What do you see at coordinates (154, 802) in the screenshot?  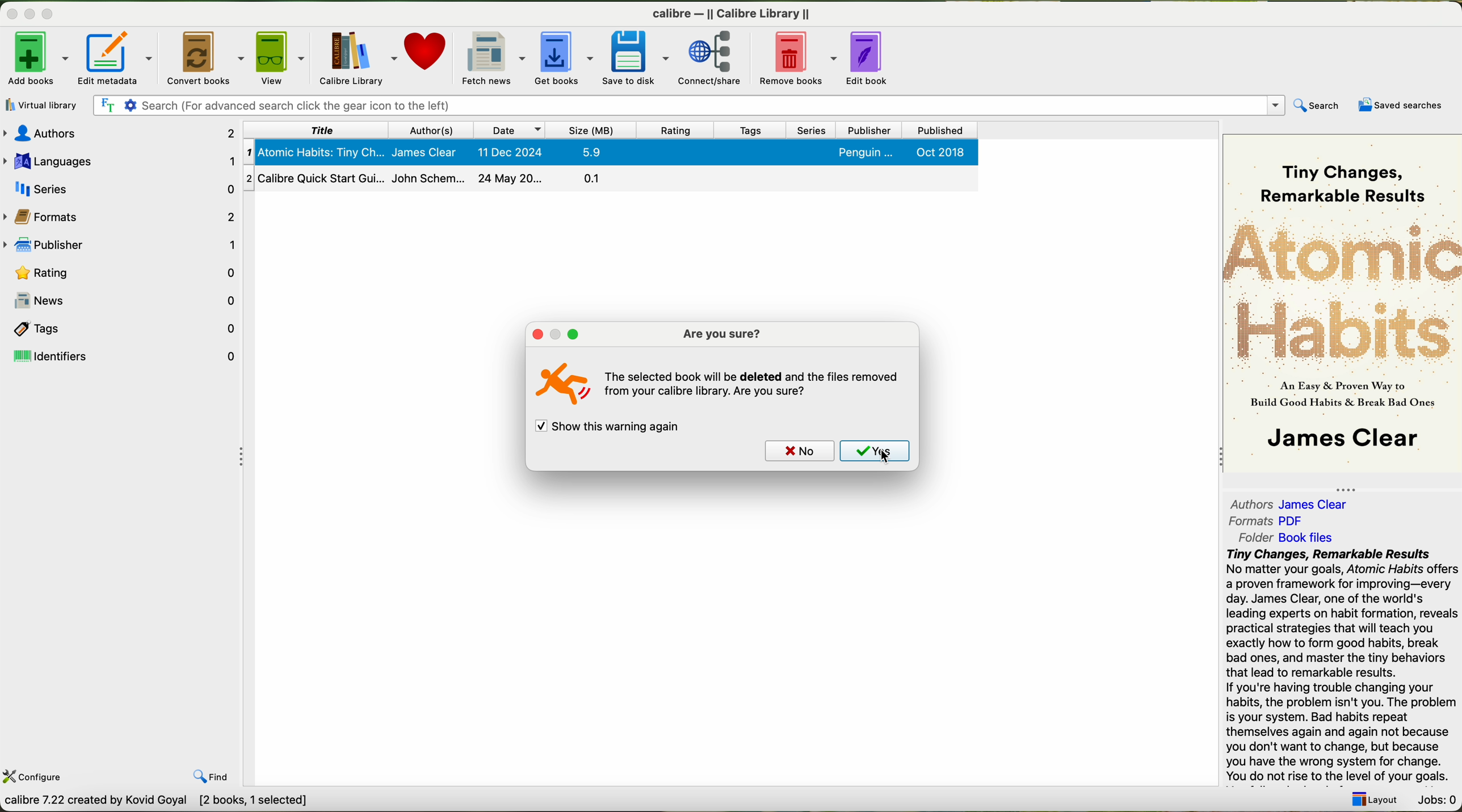 I see `calibre by David Goyal` at bounding box center [154, 802].